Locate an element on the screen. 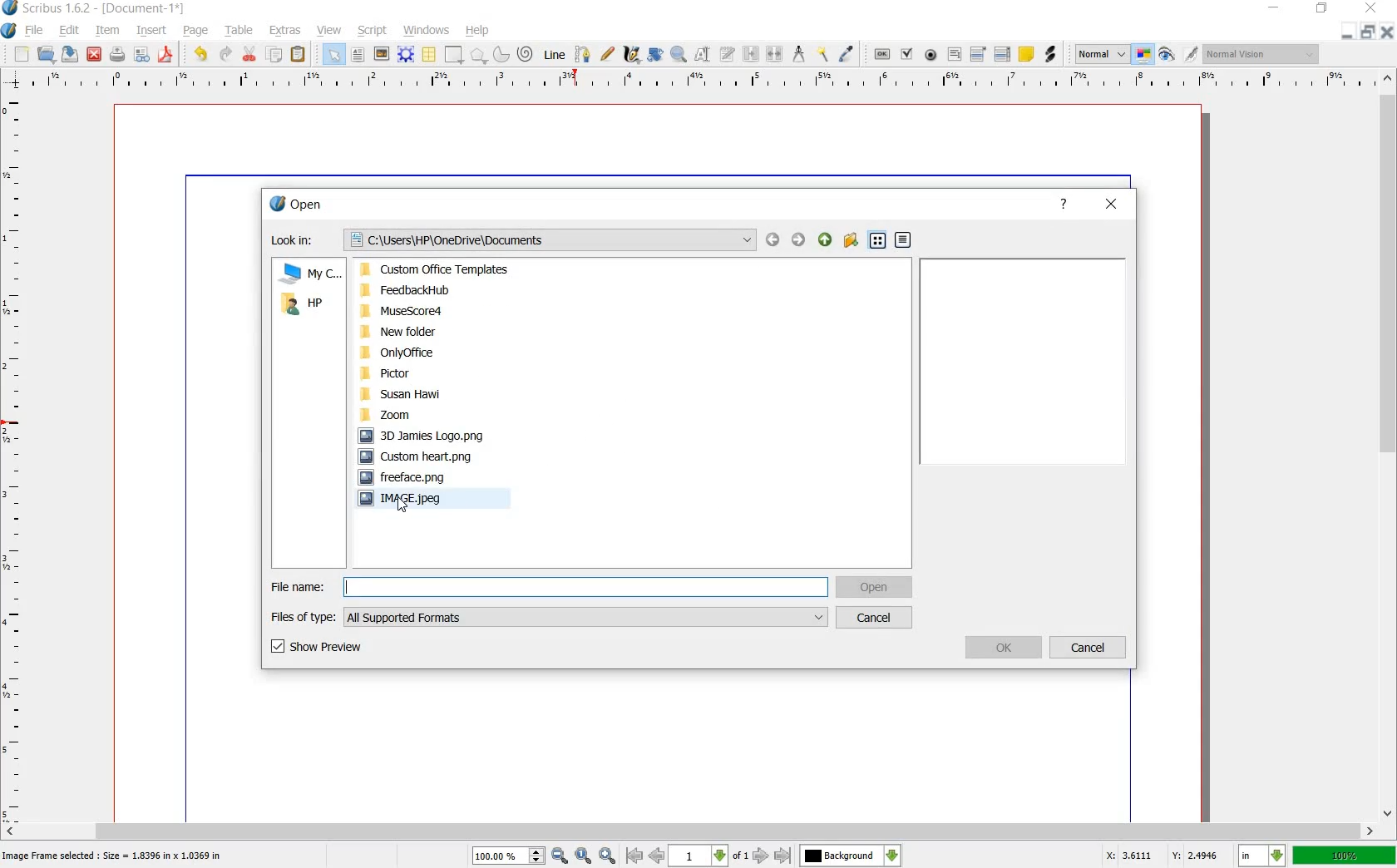 Image resolution: width=1397 pixels, height=868 pixels. set unit is located at coordinates (1261, 856).